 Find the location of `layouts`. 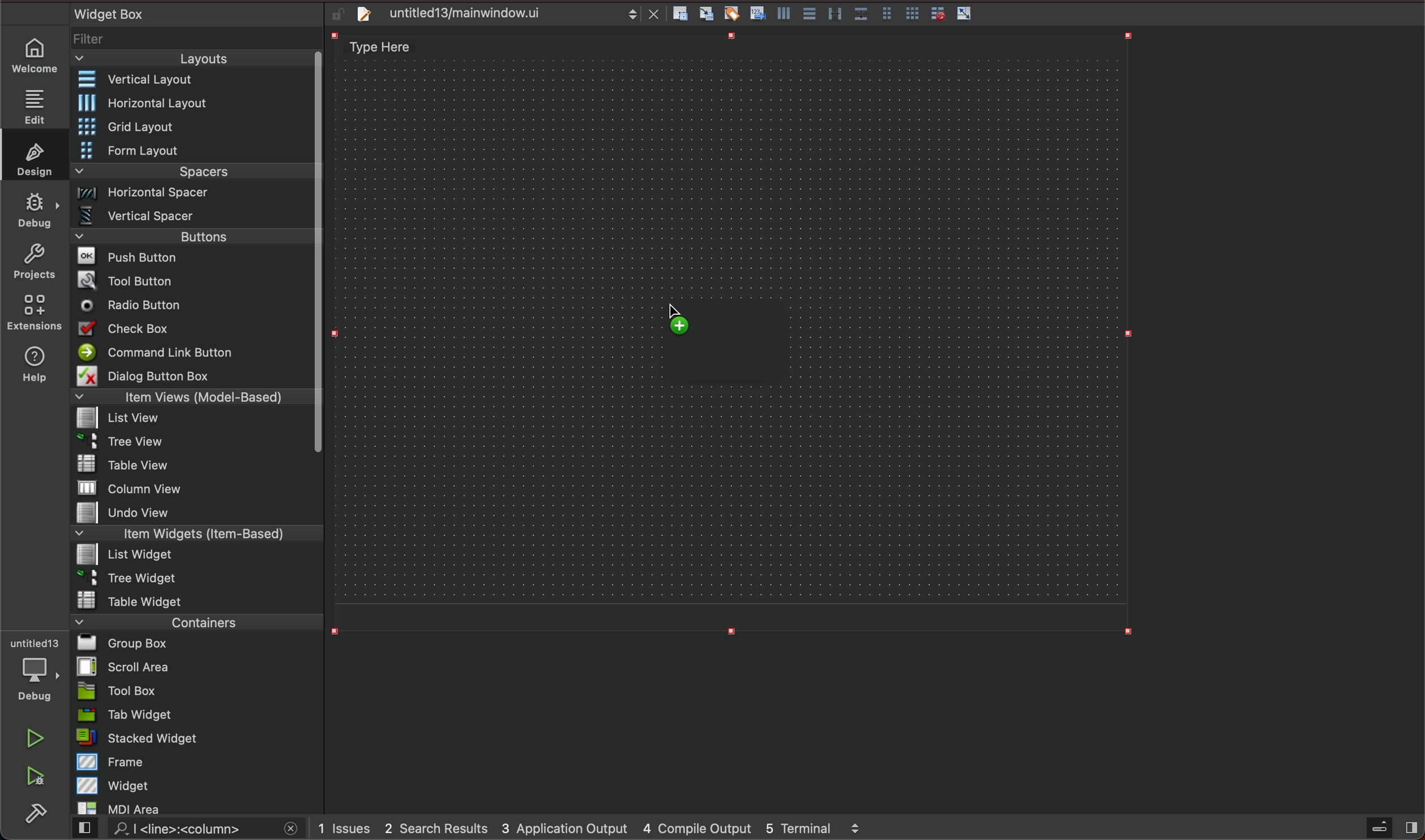

layouts is located at coordinates (197, 58).